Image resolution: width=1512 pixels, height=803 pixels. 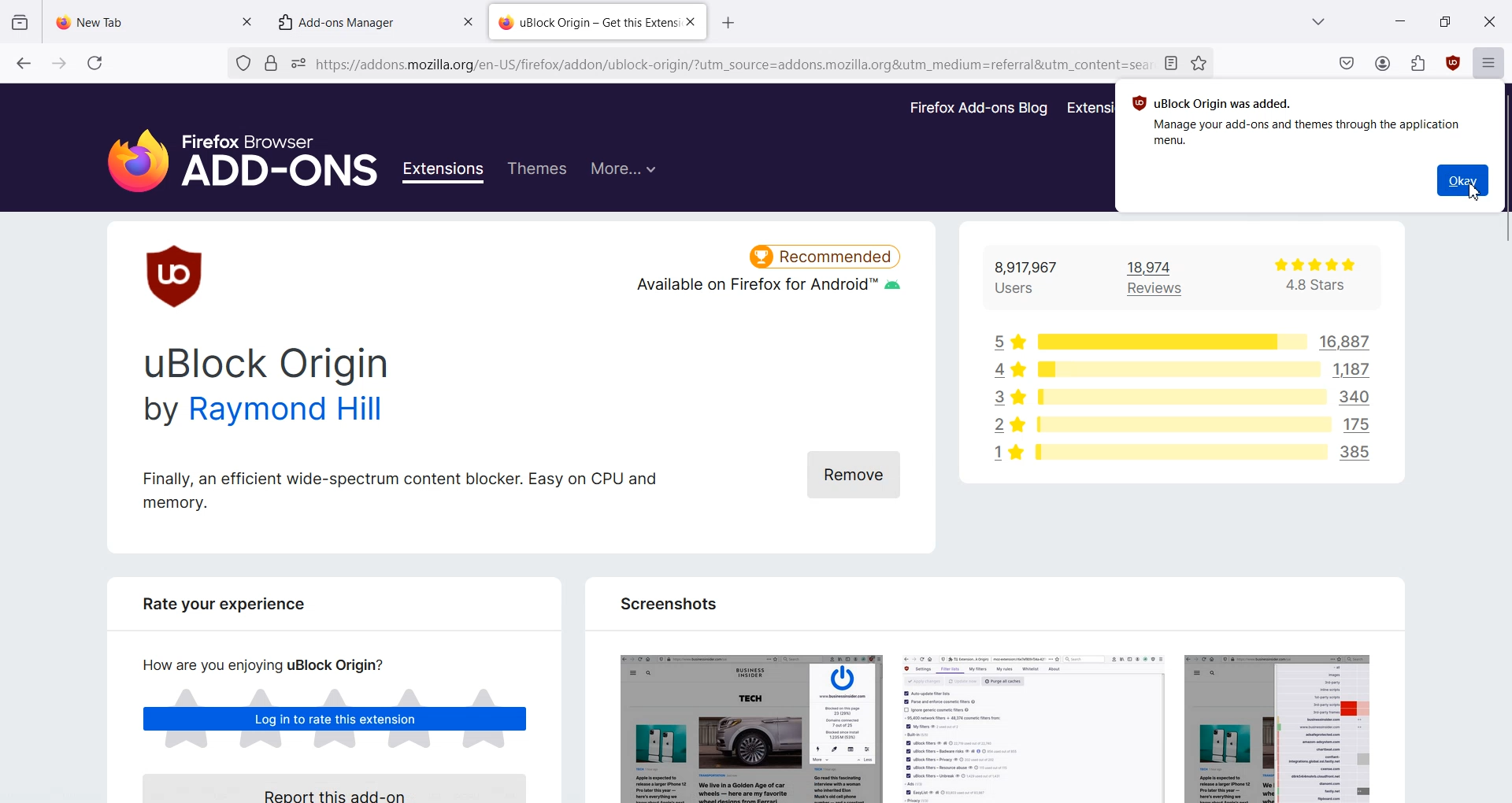 I want to click on Verified by Digicert.Inc, so click(x=270, y=64).